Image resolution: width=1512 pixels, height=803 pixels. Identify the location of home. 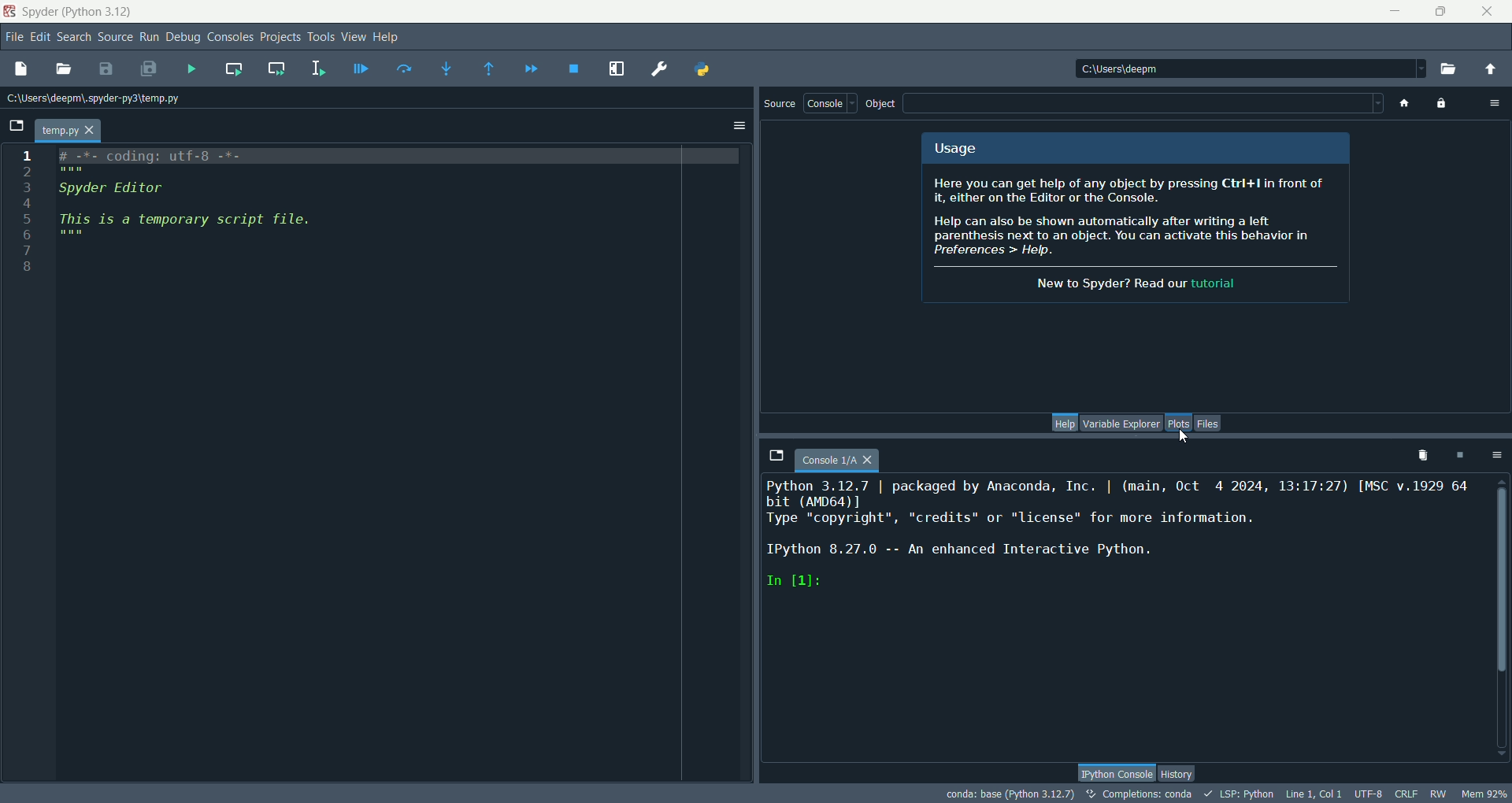
(1401, 105).